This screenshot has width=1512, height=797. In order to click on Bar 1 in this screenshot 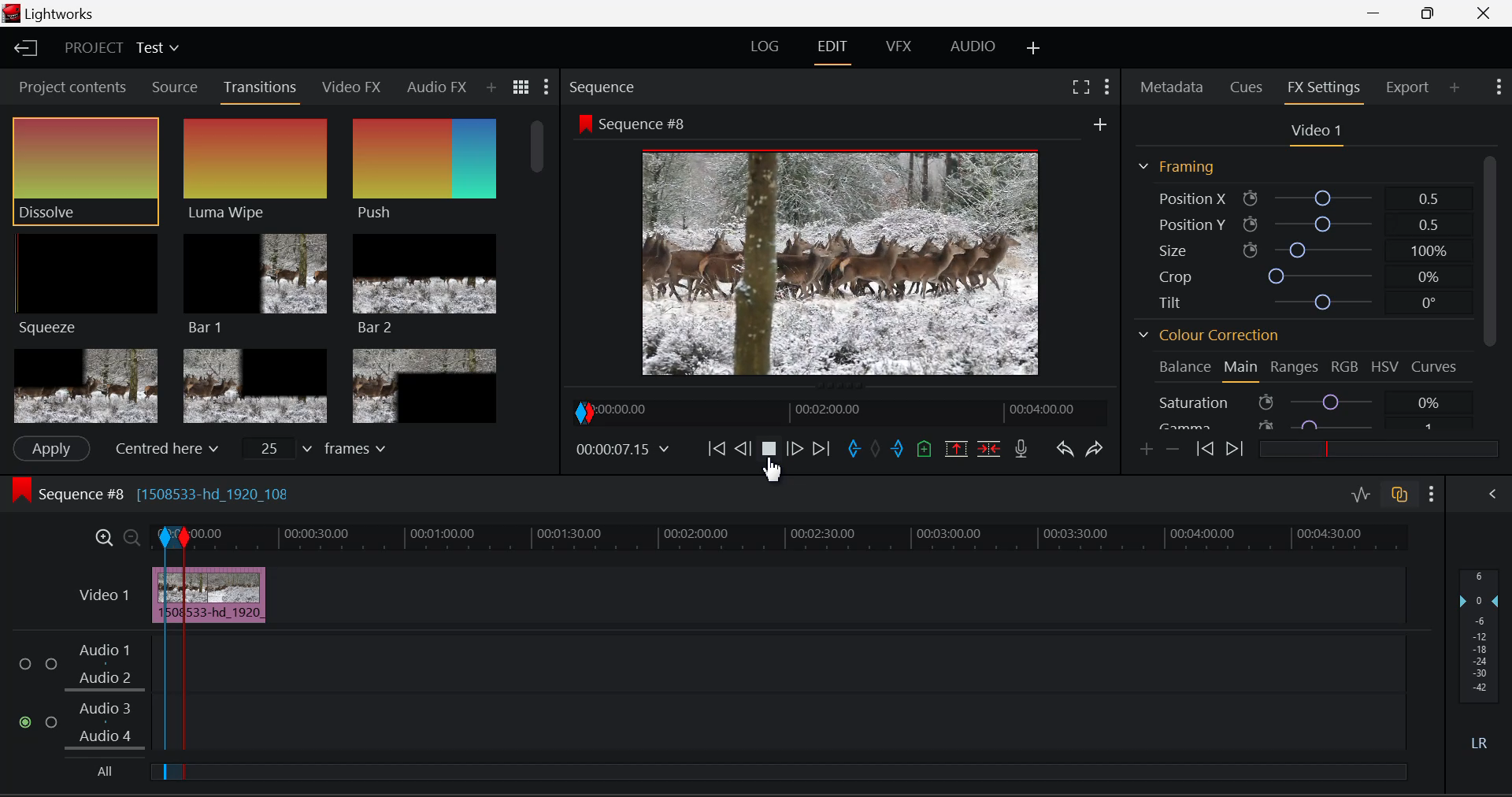, I will do `click(256, 283)`.